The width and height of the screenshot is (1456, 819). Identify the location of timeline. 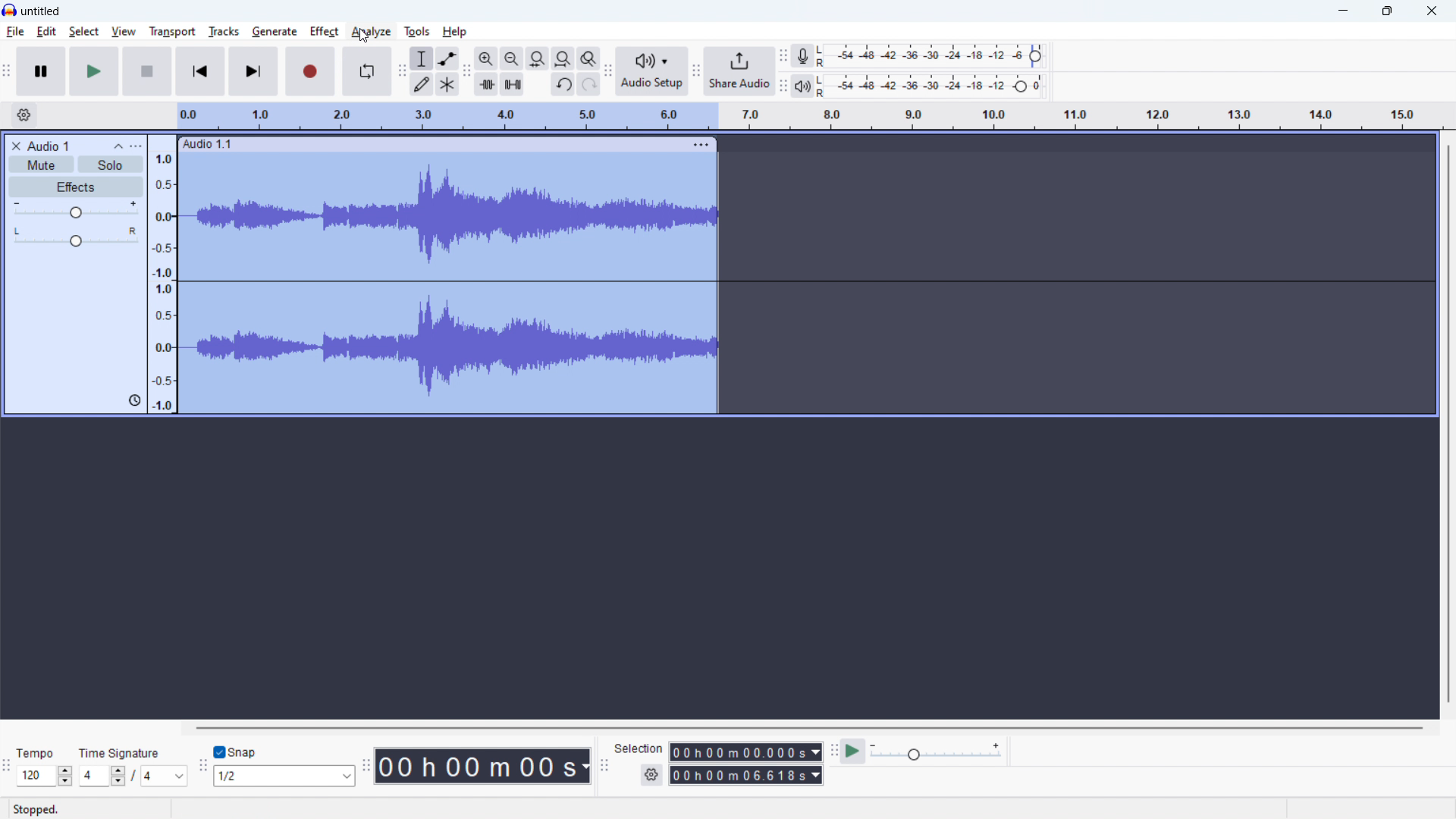
(810, 116).